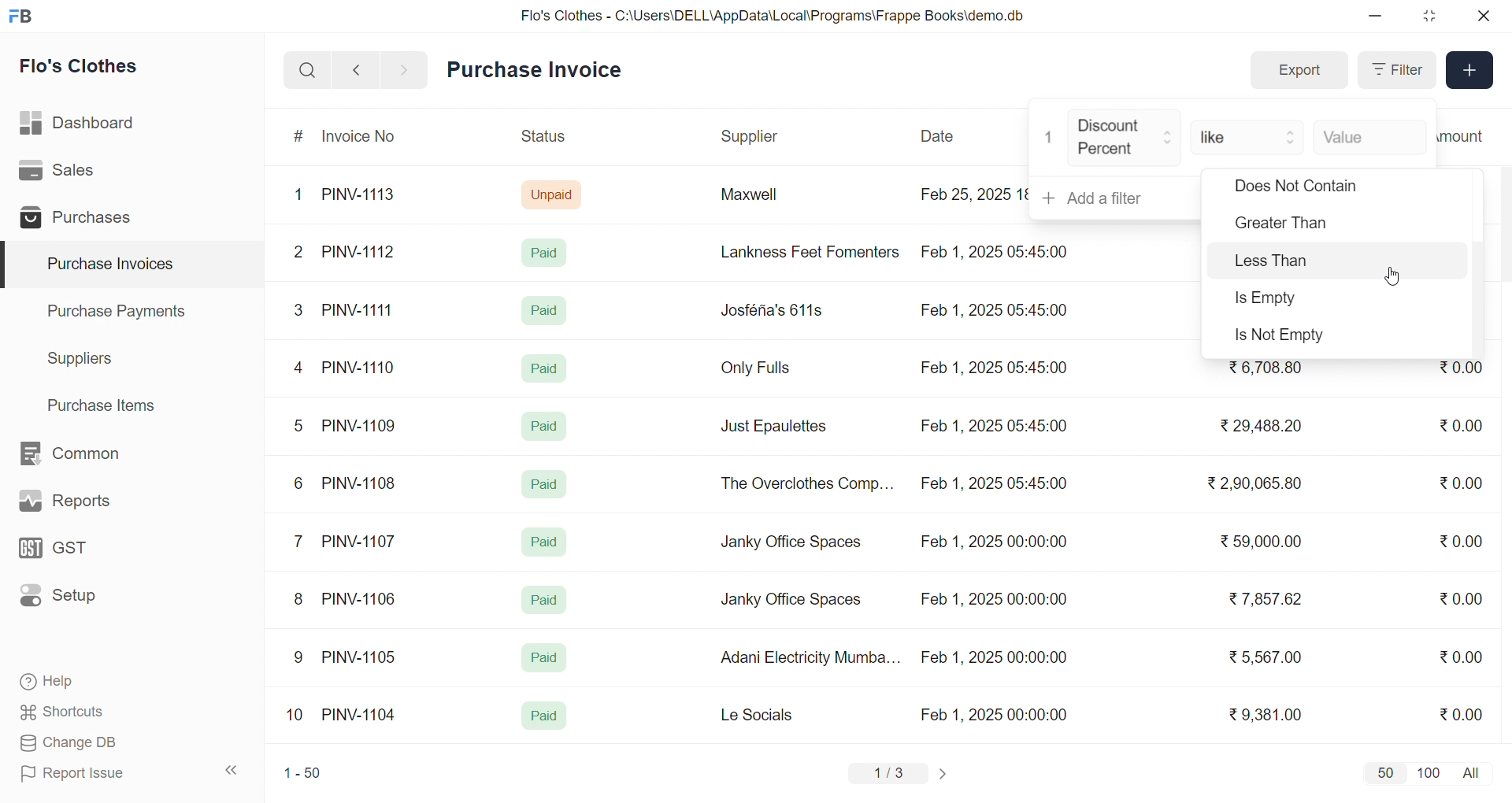 The height and width of the screenshot is (803, 1512). I want to click on 1-50, so click(302, 775).